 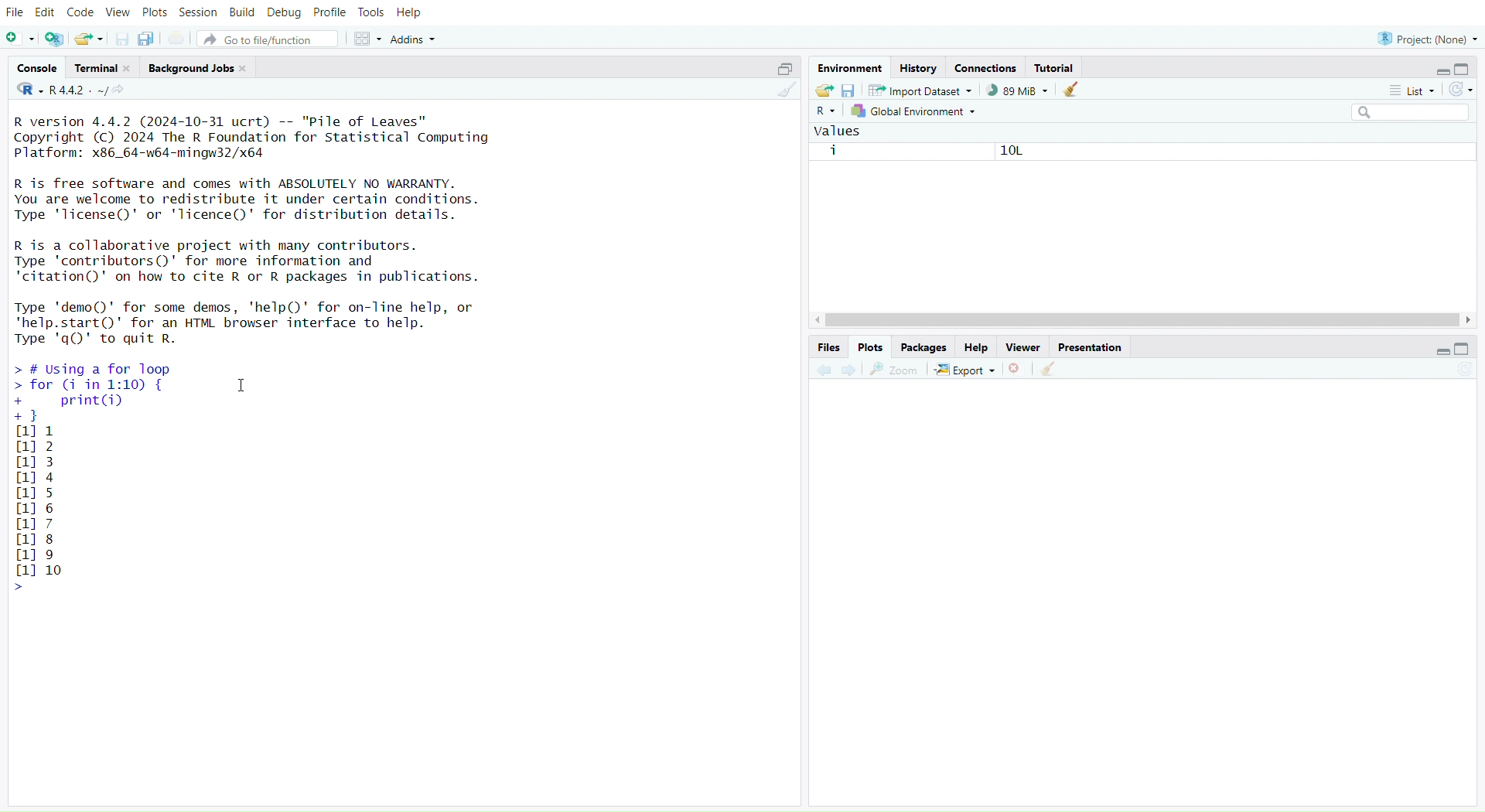 What do you see at coordinates (893, 370) in the screenshot?
I see `zoom` at bounding box center [893, 370].